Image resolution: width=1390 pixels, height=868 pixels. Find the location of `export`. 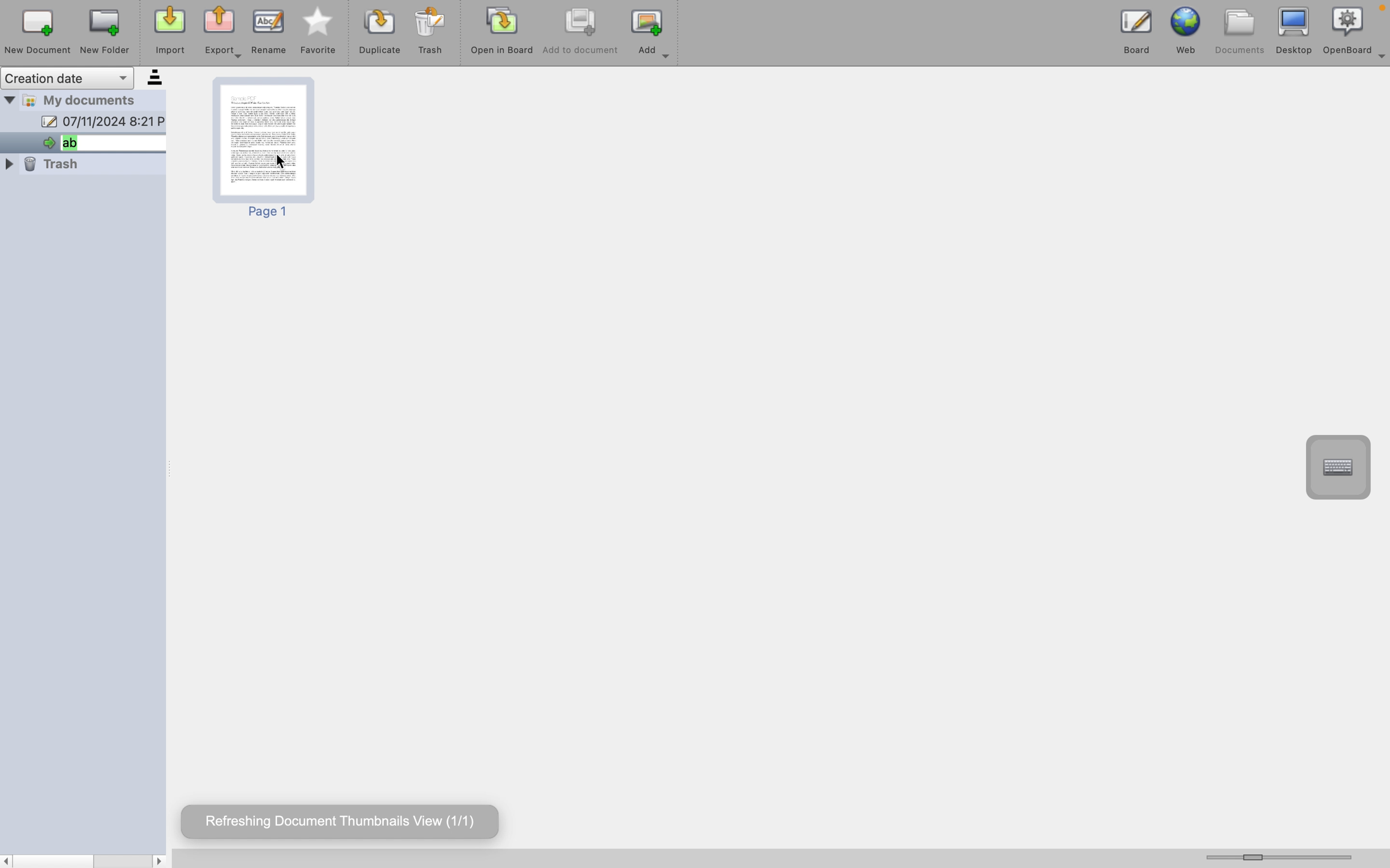

export is located at coordinates (226, 33).